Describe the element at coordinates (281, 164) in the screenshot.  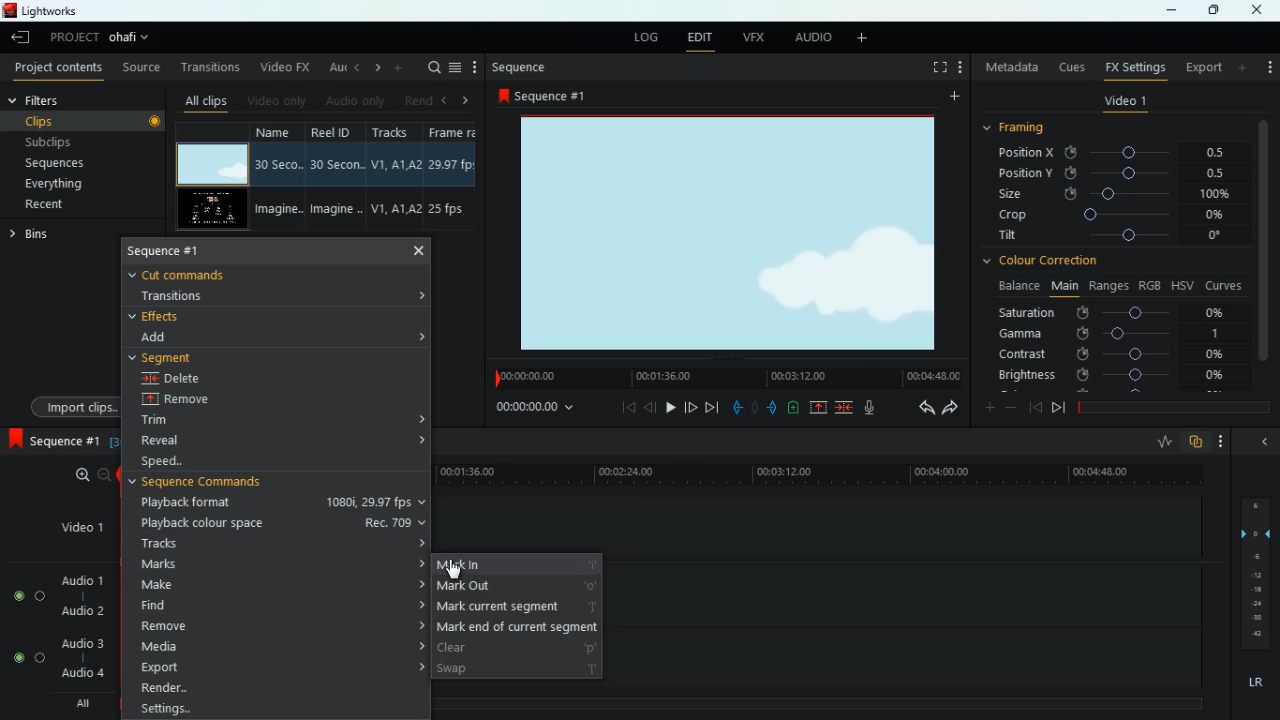
I see `30 Seco..` at that location.